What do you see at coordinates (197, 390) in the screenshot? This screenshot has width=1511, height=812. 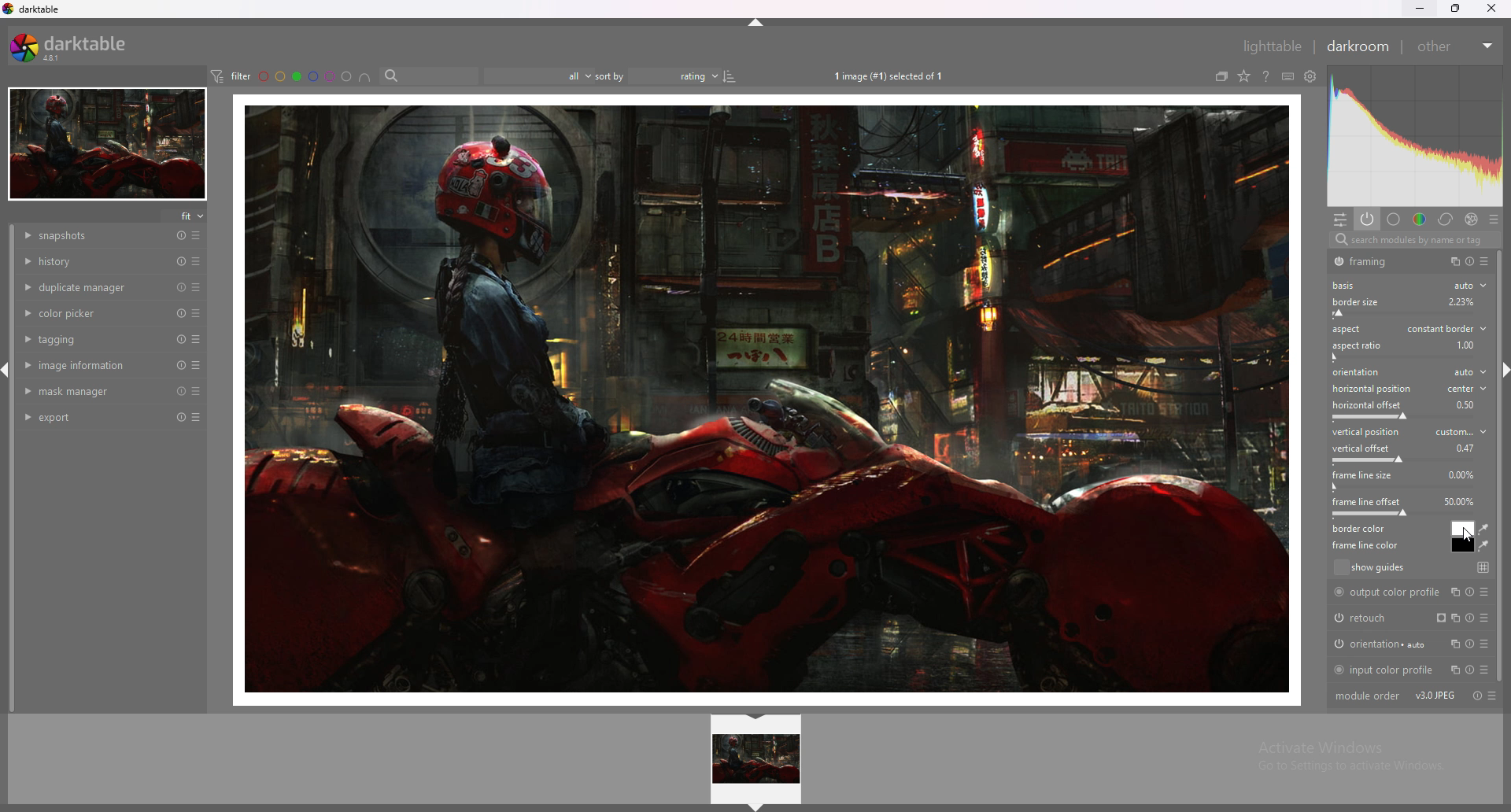 I see `presets` at bounding box center [197, 390].